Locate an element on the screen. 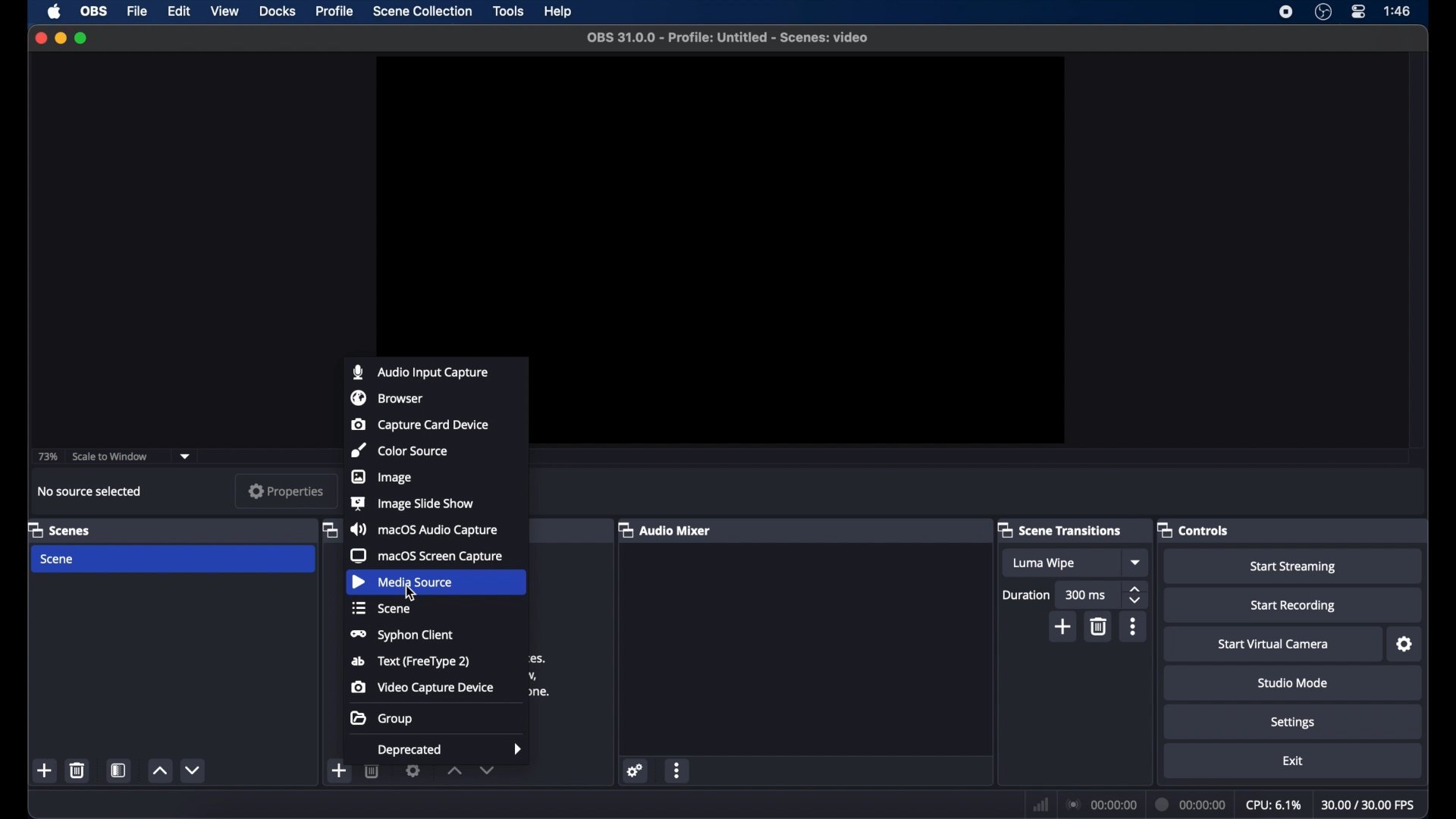  delete is located at coordinates (1100, 626).